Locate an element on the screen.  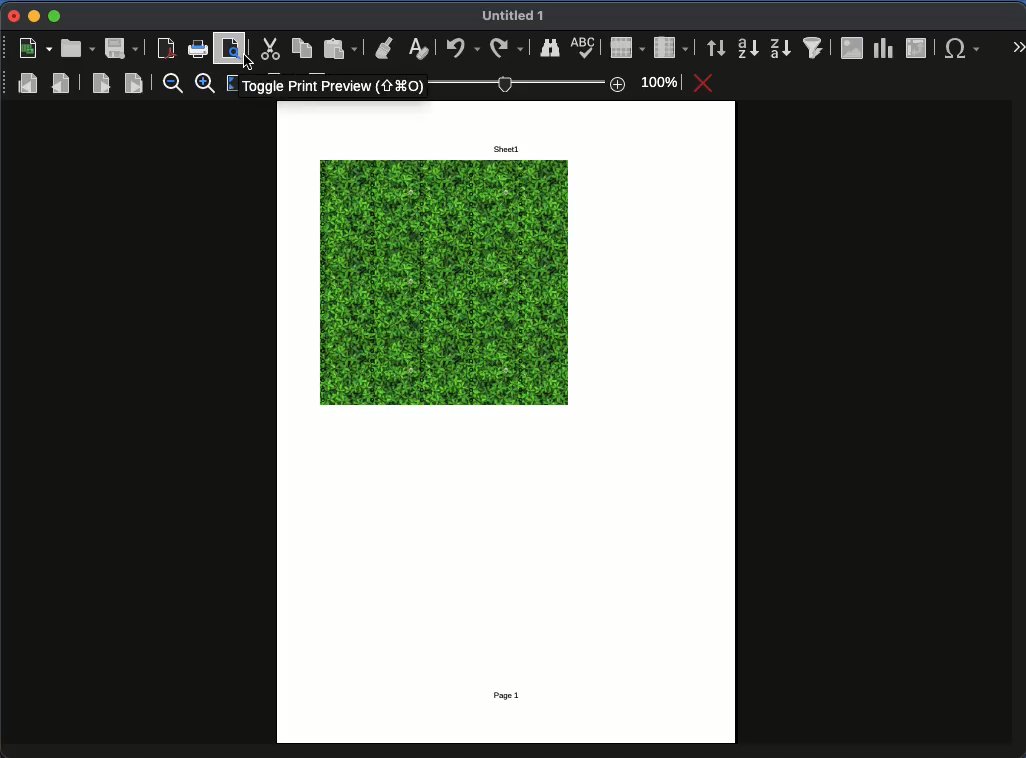
copy is located at coordinates (301, 46).